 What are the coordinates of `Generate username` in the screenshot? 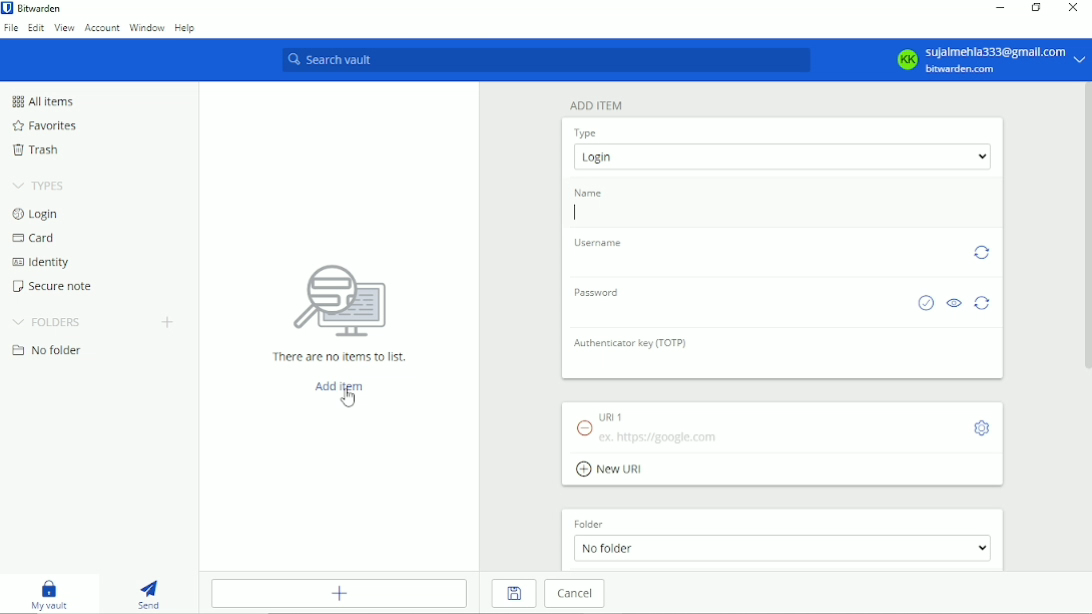 It's located at (981, 253).